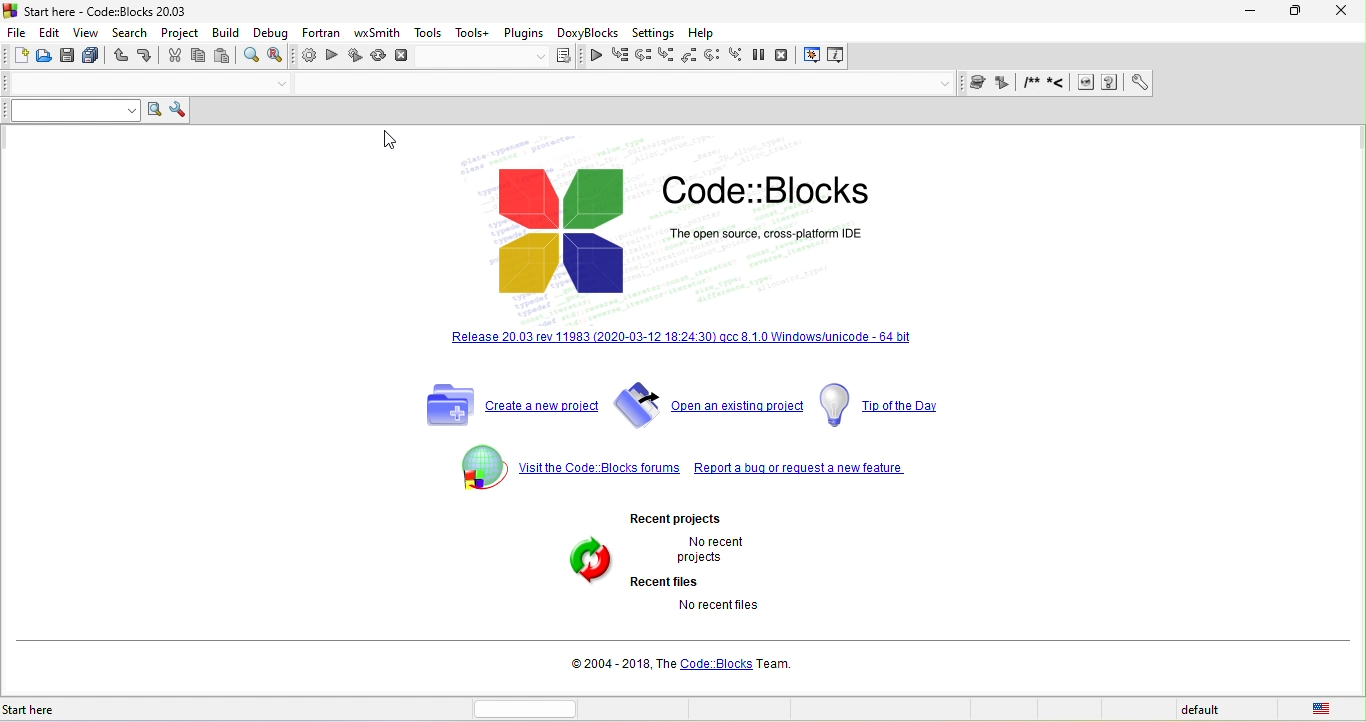 The height and width of the screenshot is (722, 1366). Describe the element at coordinates (87, 34) in the screenshot. I see `view` at that location.